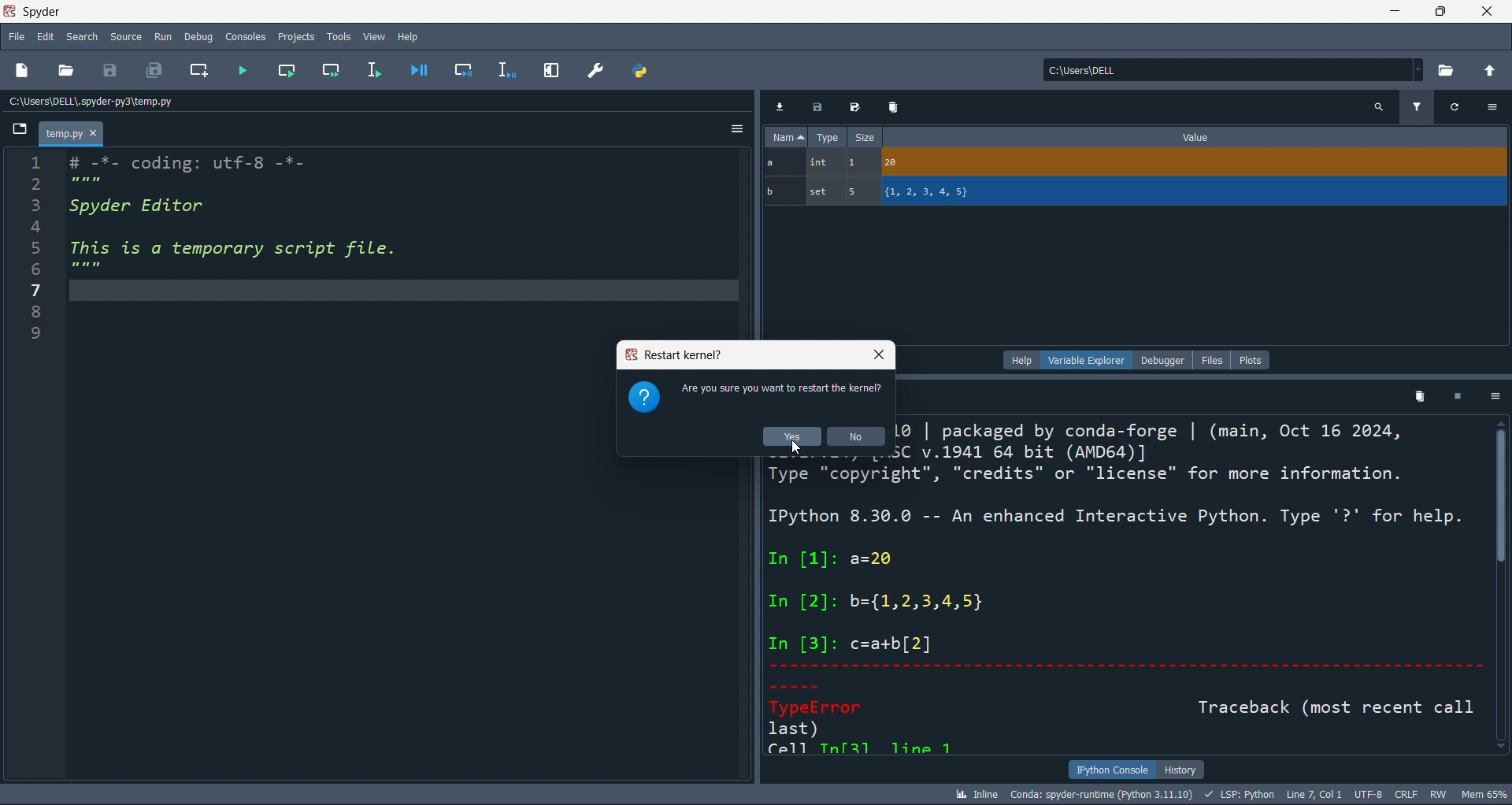 The height and width of the screenshot is (805, 1512). What do you see at coordinates (732, 130) in the screenshot?
I see `more options` at bounding box center [732, 130].